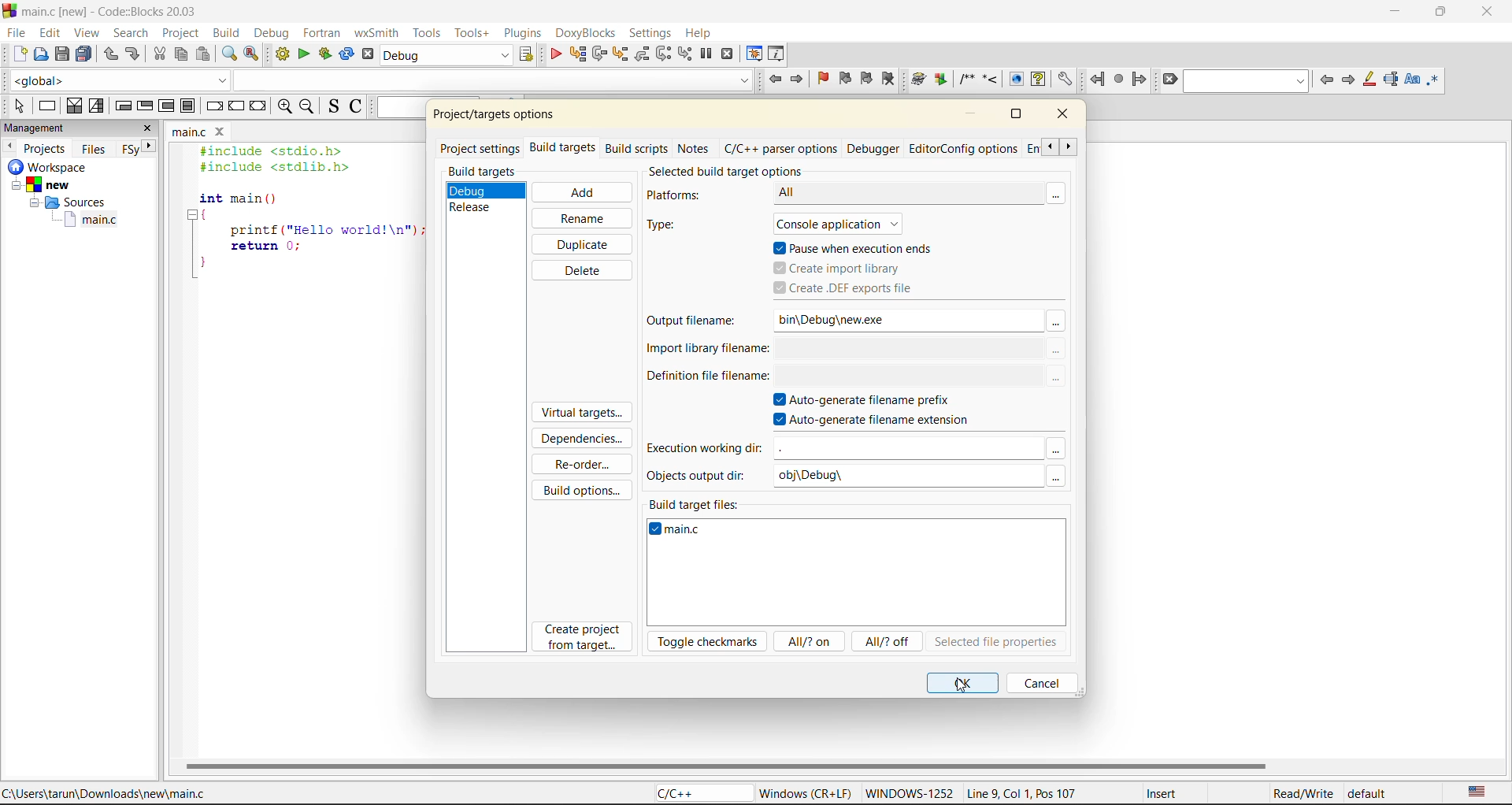 This screenshot has width=1512, height=805. What do you see at coordinates (444, 55) in the screenshot?
I see `build target` at bounding box center [444, 55].